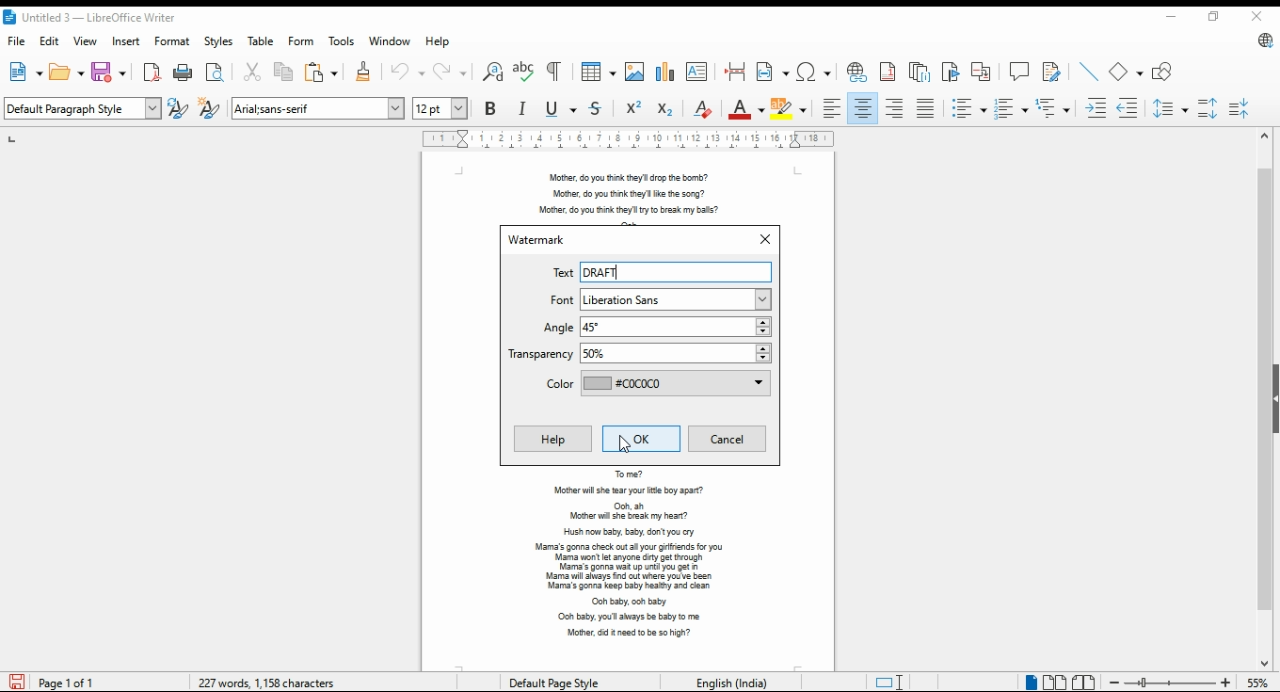 Image resolution: width=1280 pixels, height=692 pixels. I want to click on ok, so click(638, 438).